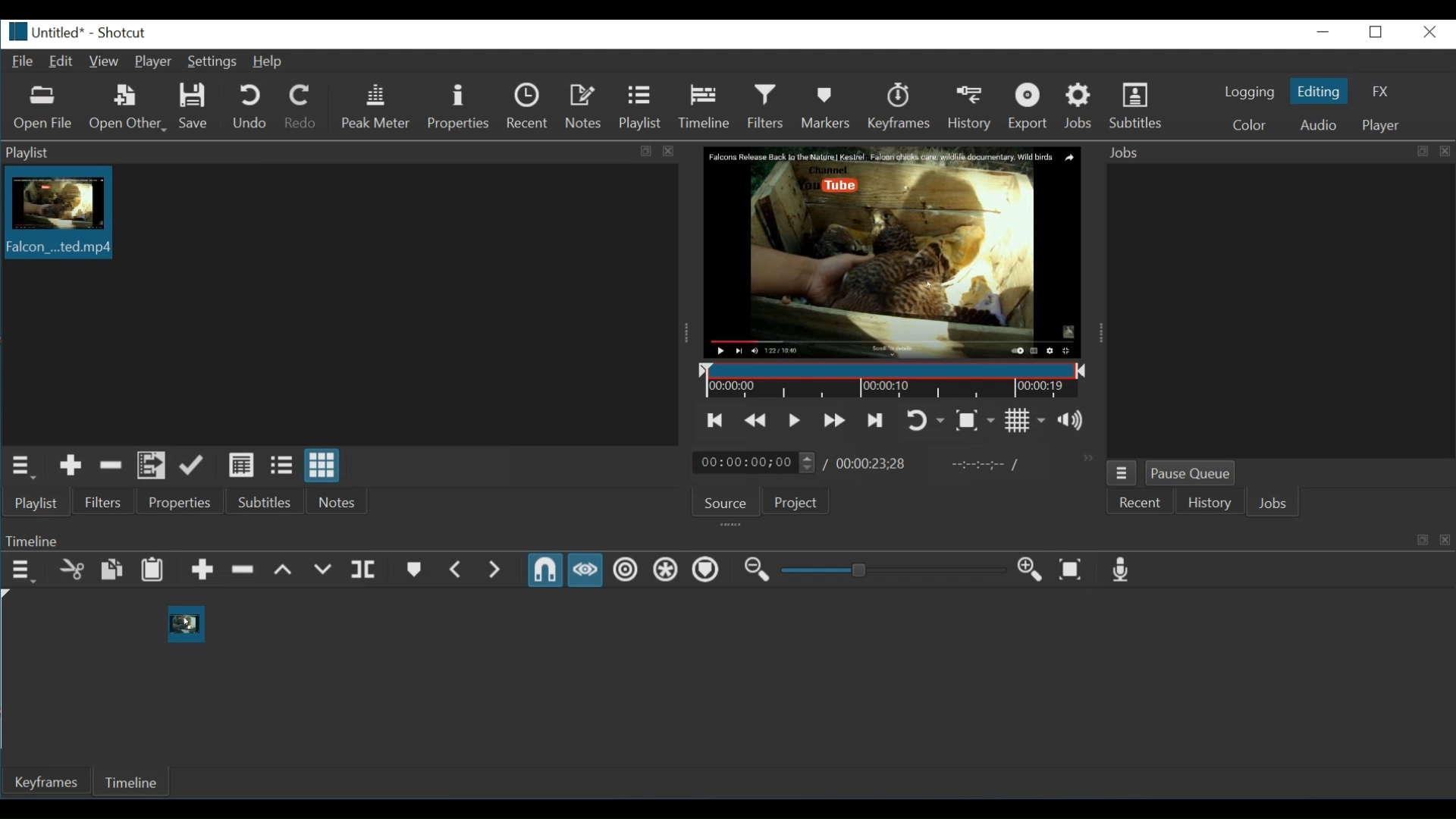 The height and width of the screenshot is (819, 1456). What do you see at coordinates (49, 783) in the screenshot?
I see `Keyframe` at bounding box center [49, 783].